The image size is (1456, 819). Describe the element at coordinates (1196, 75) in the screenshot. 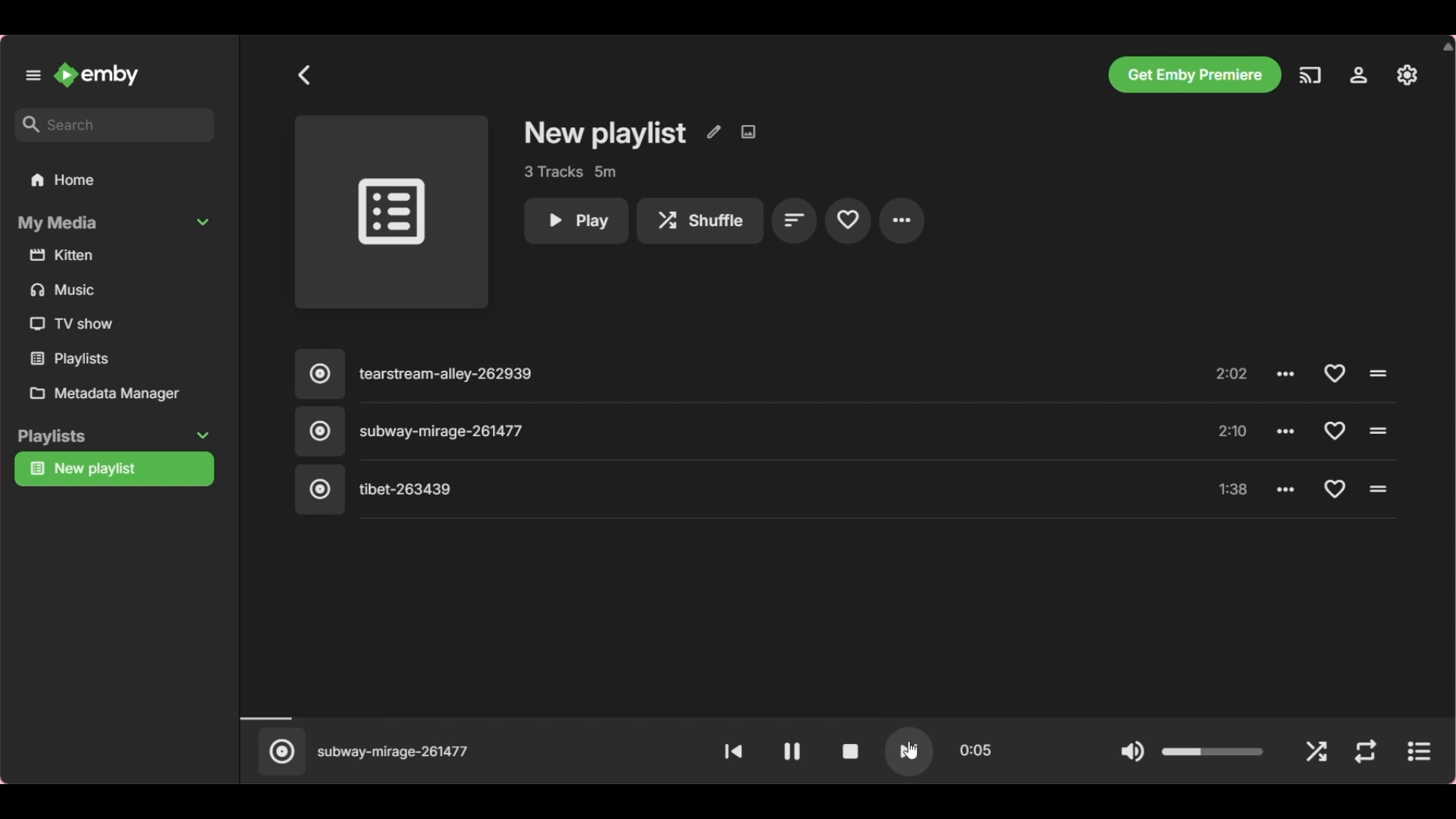

I see `Get Emby premiere` at that location.